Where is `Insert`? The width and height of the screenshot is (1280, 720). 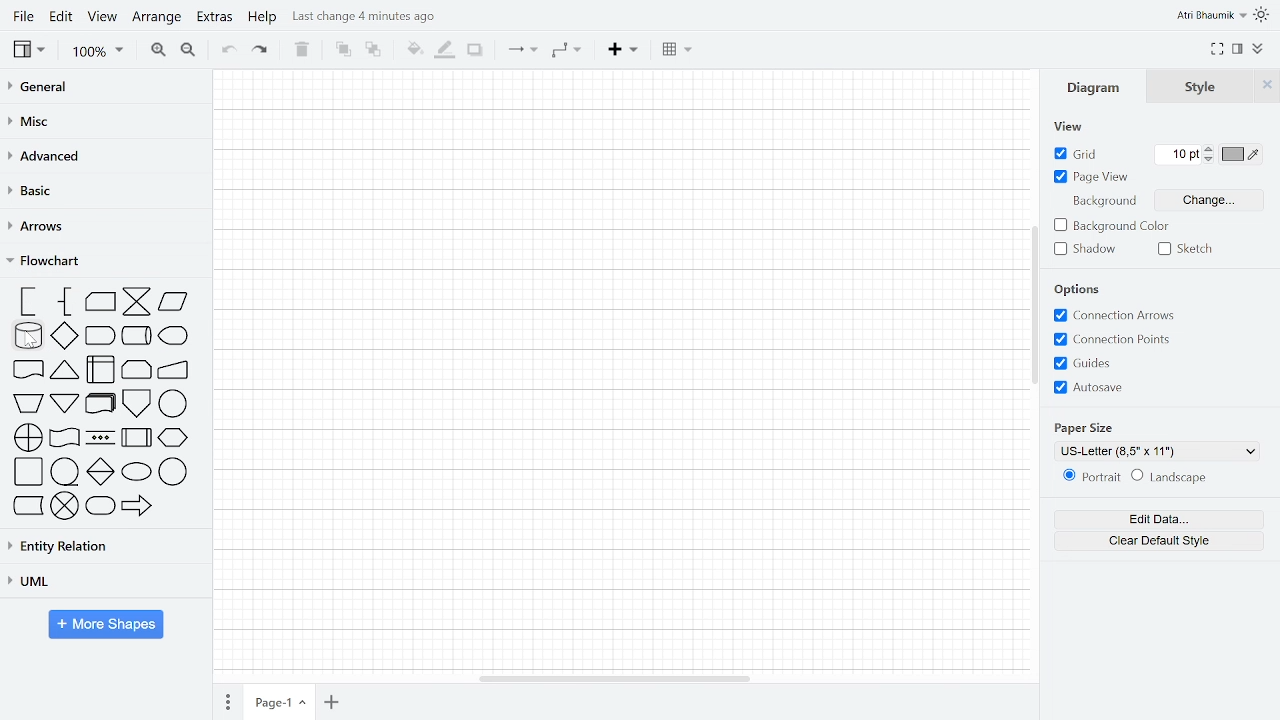
Insert is located at coordinates (622, 50).